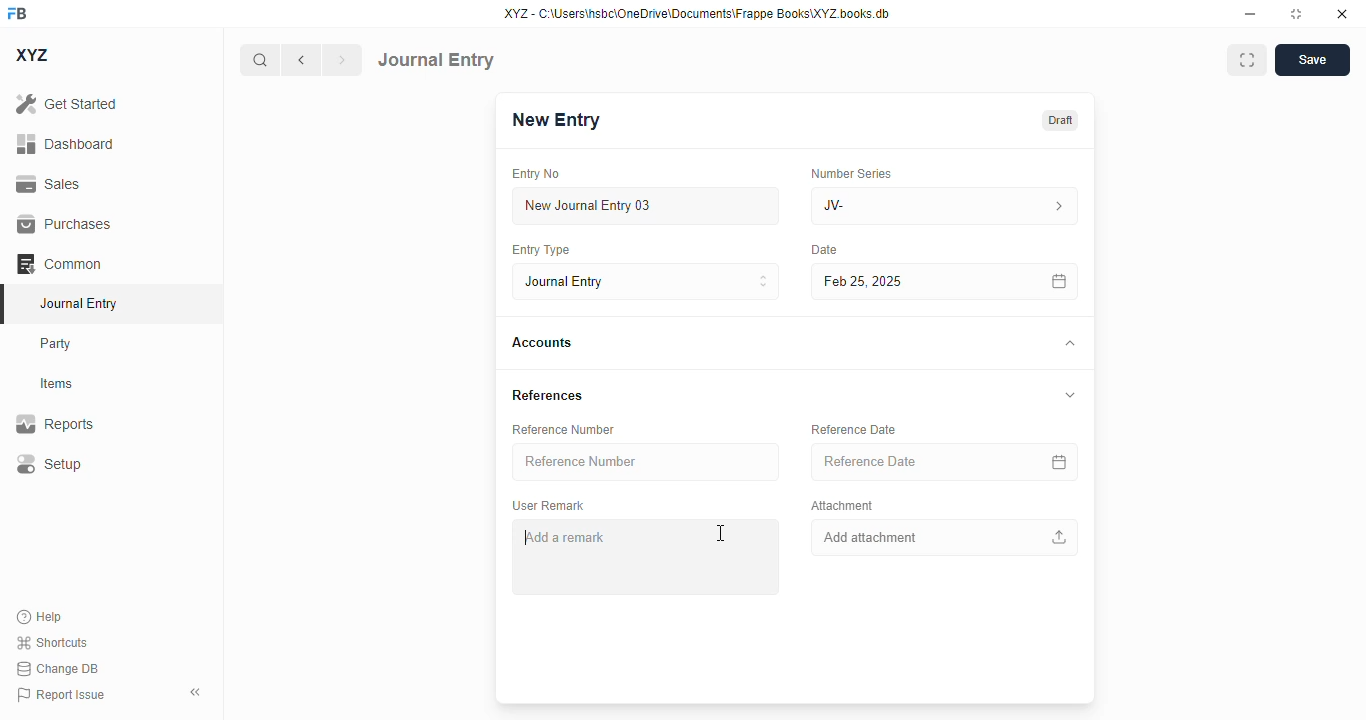 The image size is (1366, 720). Describe the element at coordinates (51, 185) in the screenshot. I see `sales` at that location.